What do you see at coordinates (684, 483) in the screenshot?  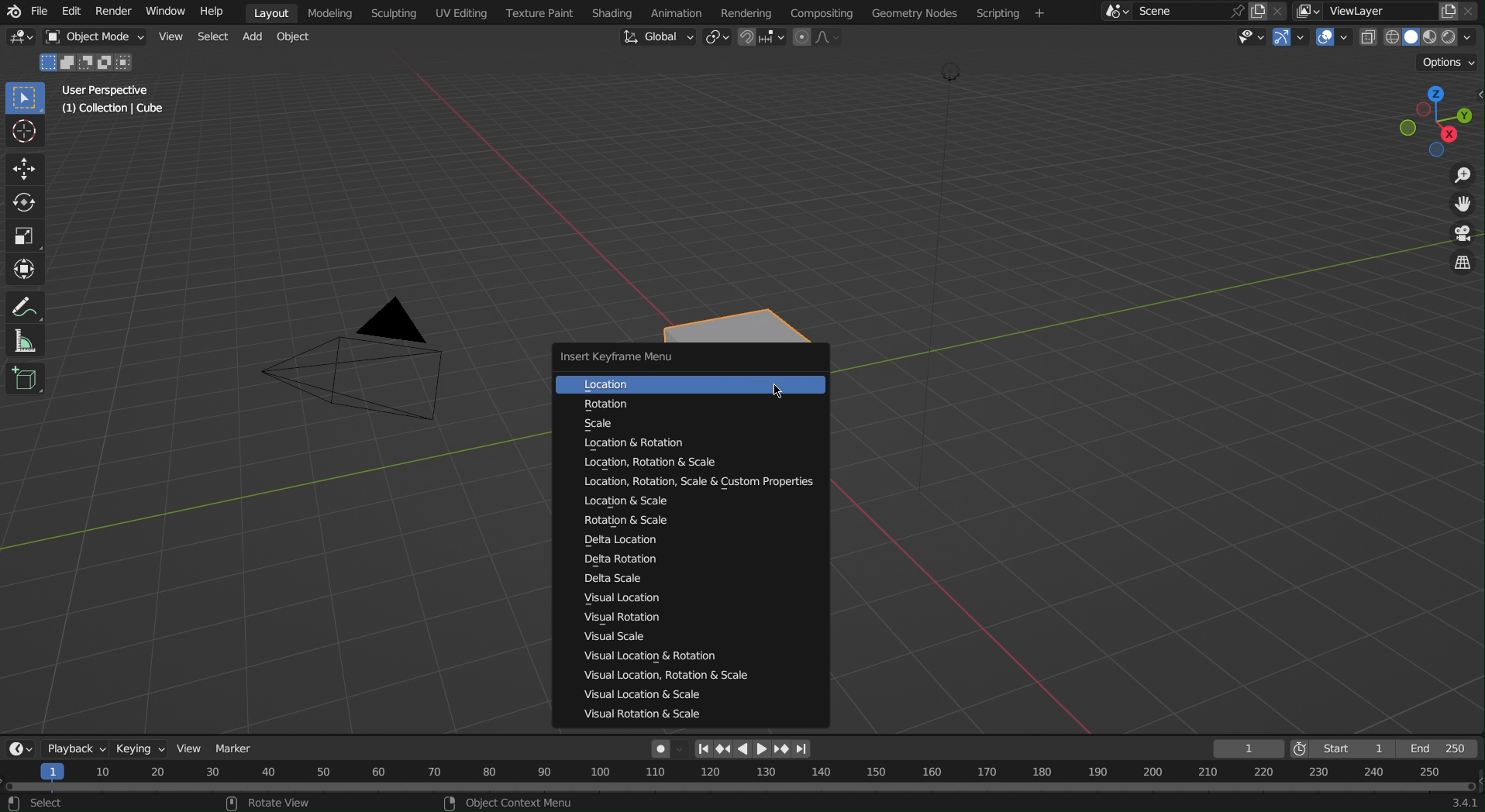 I see `Location, Rotation, Scale & Custom Properties` at bounding box center [684, 483].